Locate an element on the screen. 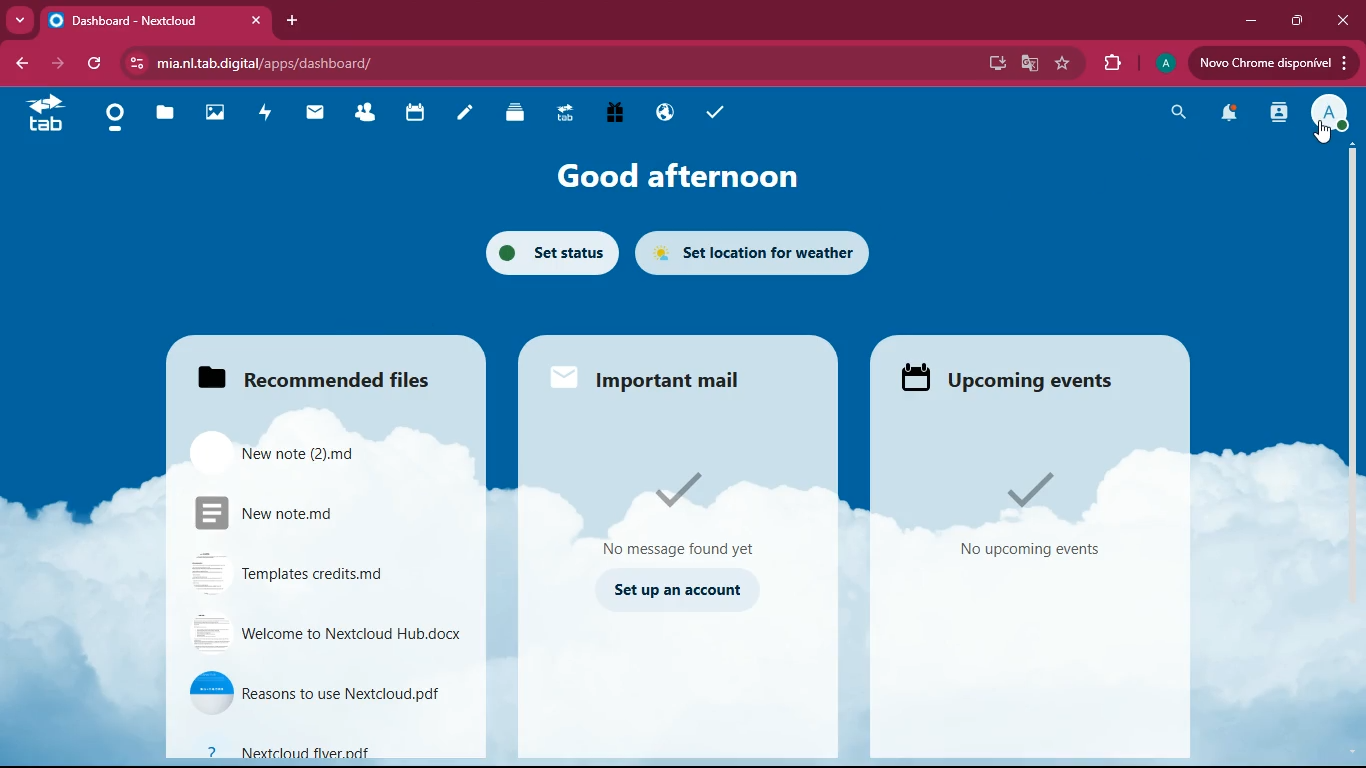 This screenshot has width=1366, height=768. forward is located at coordinates (55, 64).